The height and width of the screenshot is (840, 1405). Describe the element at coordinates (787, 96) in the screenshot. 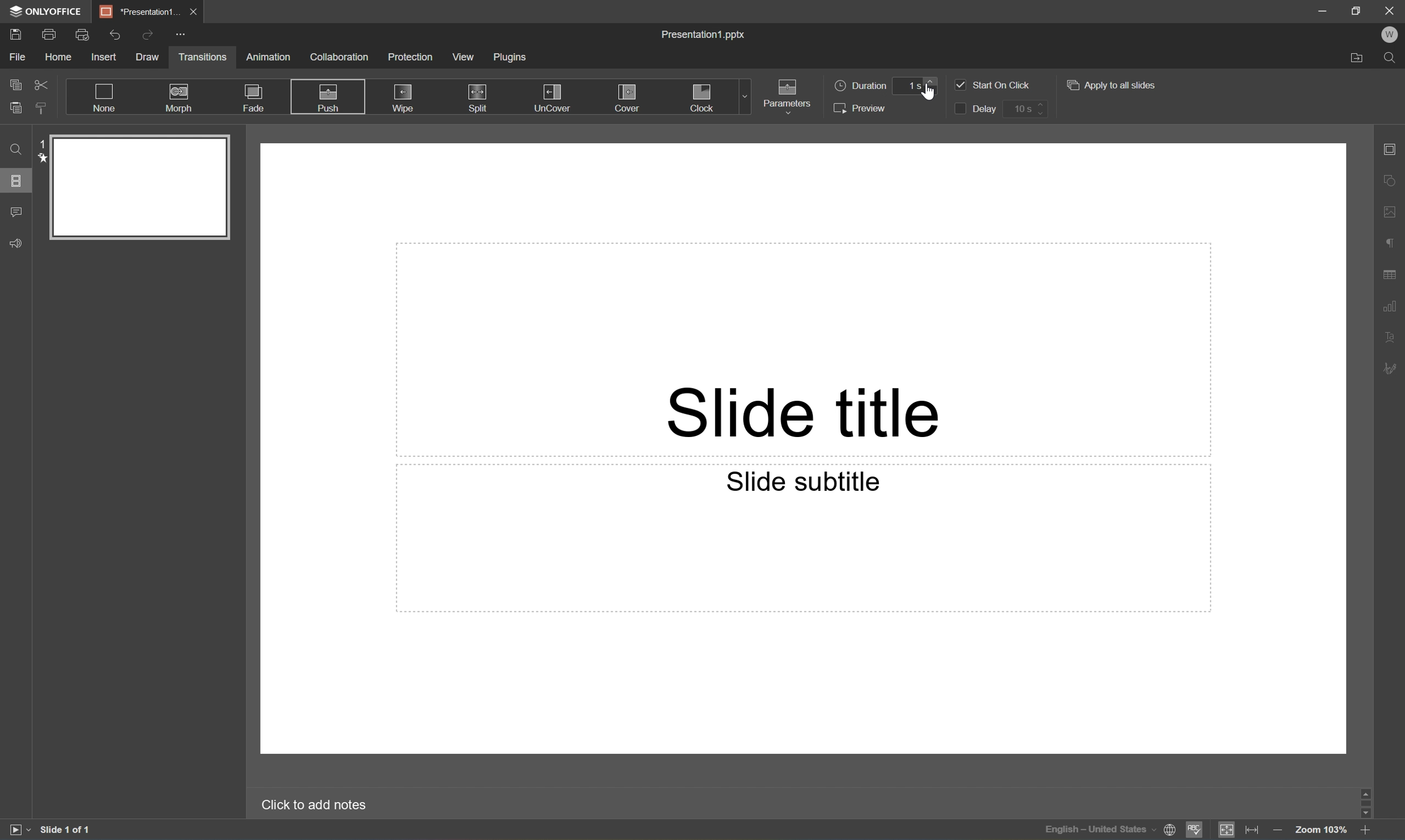

I see `Parameters` at that location.